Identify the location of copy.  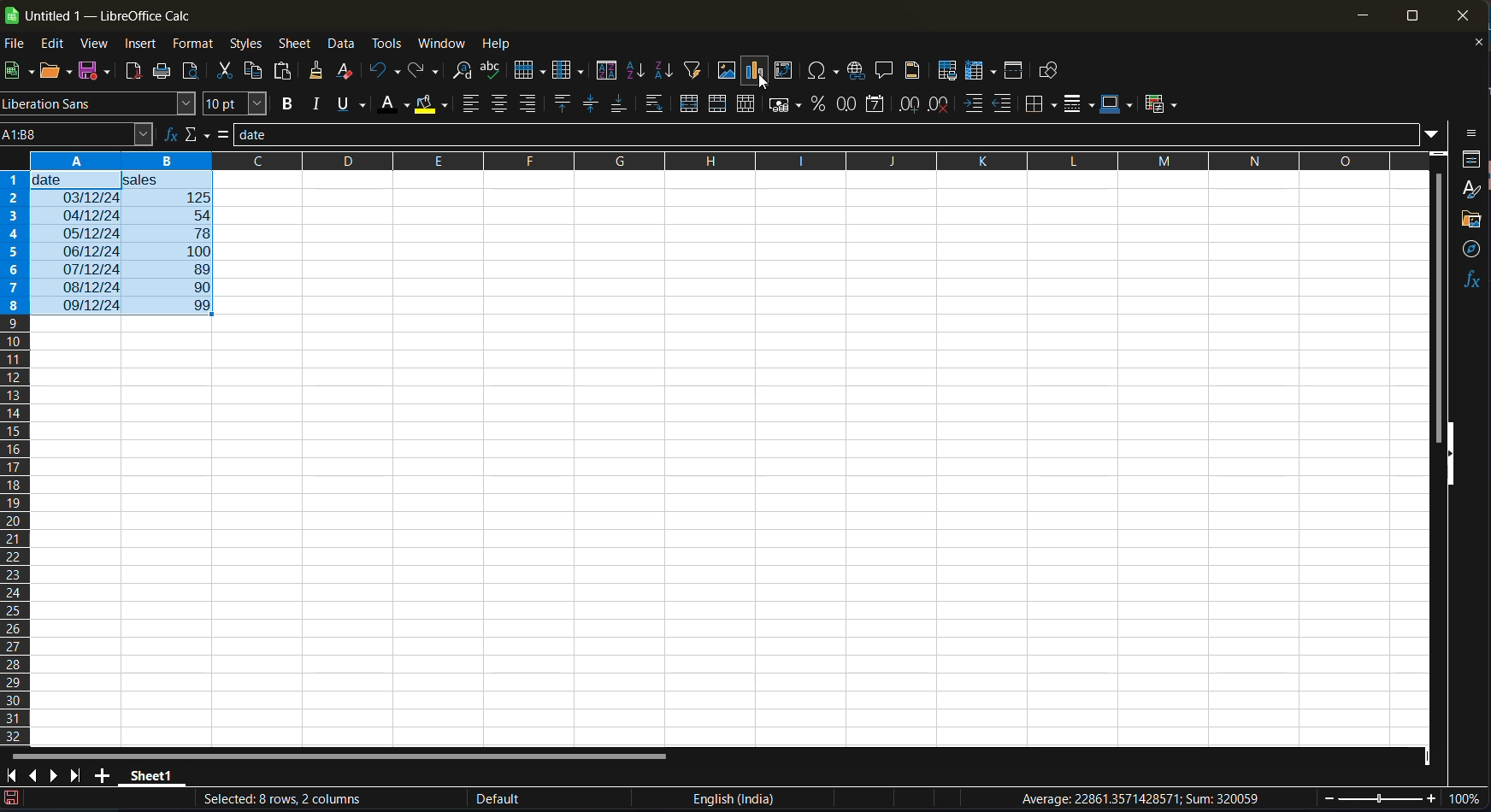
(256, 74).